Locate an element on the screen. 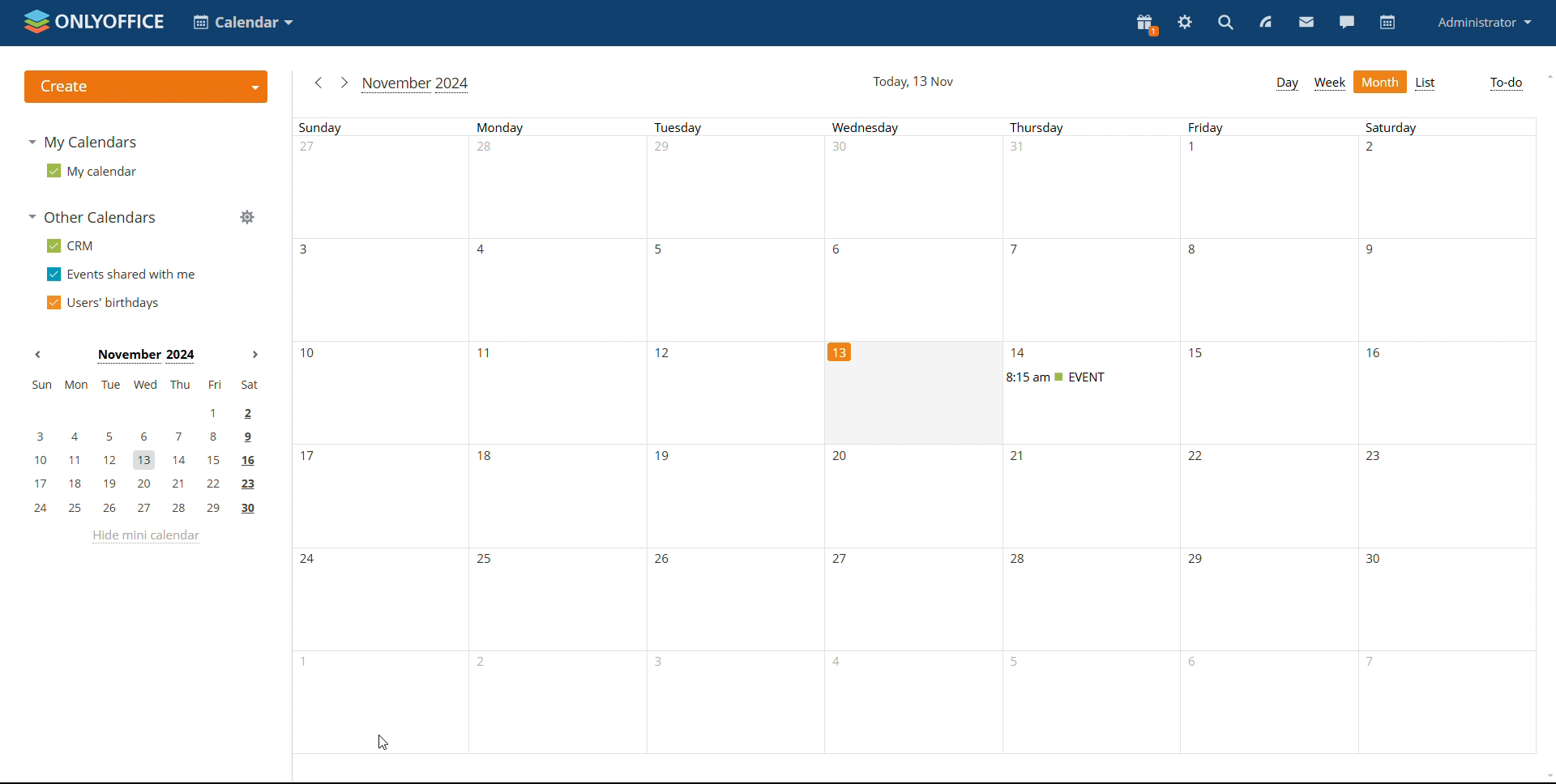  CRM is located at coordinates (71, 245).